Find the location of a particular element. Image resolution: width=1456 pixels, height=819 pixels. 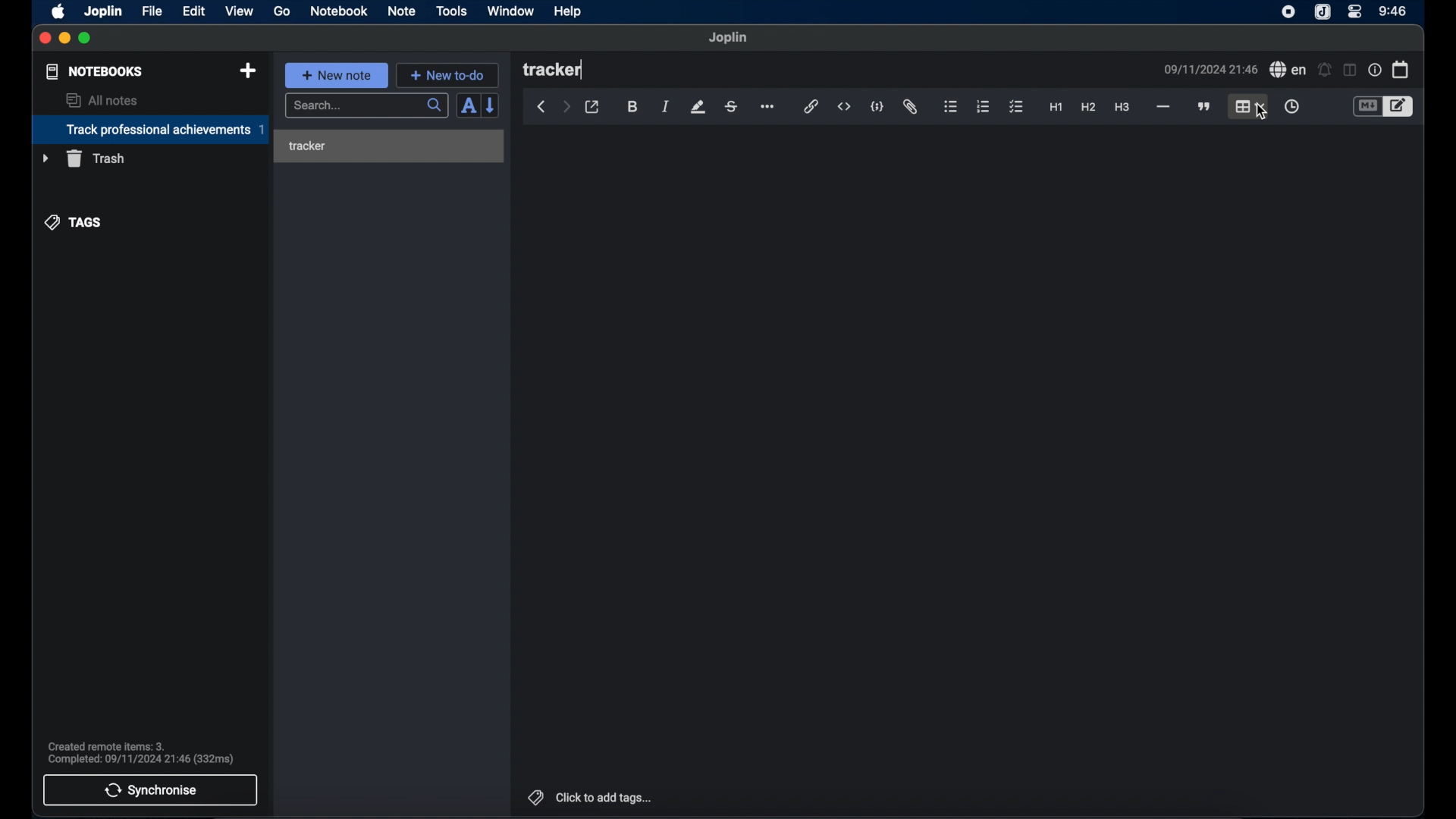

heading 3 is located at coordinates (1123, 108).